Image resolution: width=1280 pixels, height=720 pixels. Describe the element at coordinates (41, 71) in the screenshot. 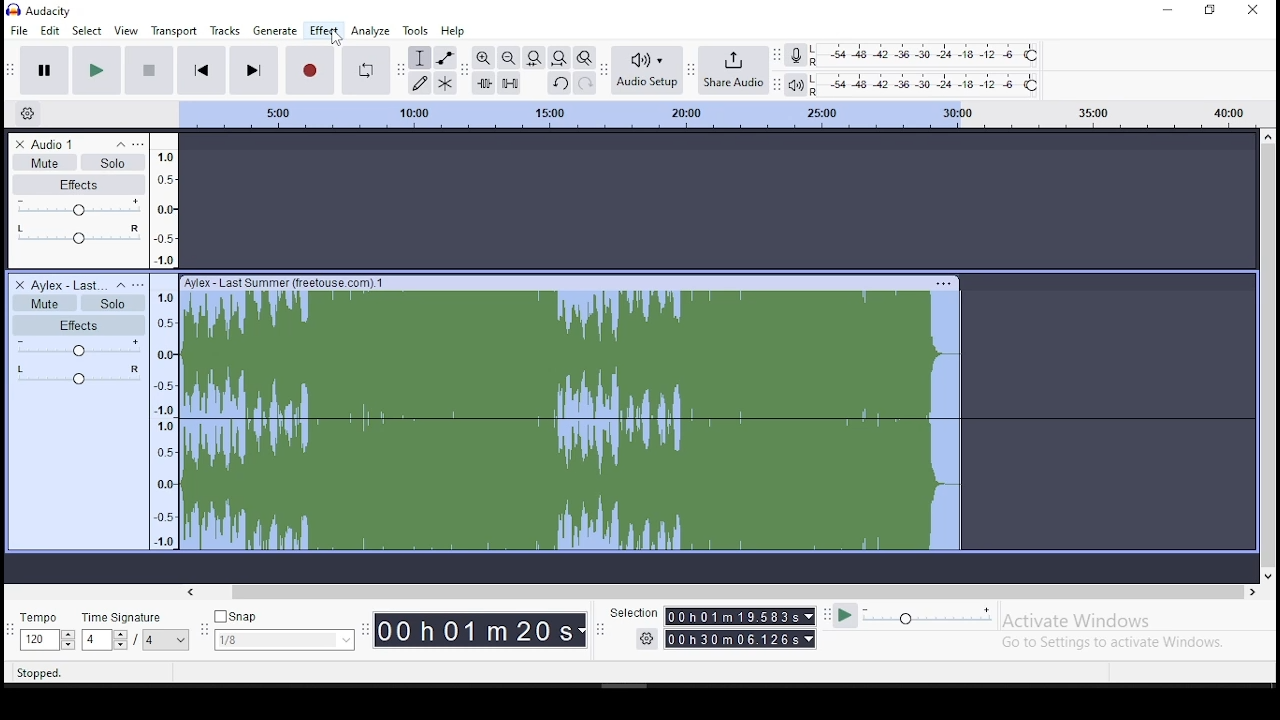

I see `pause` at that location.